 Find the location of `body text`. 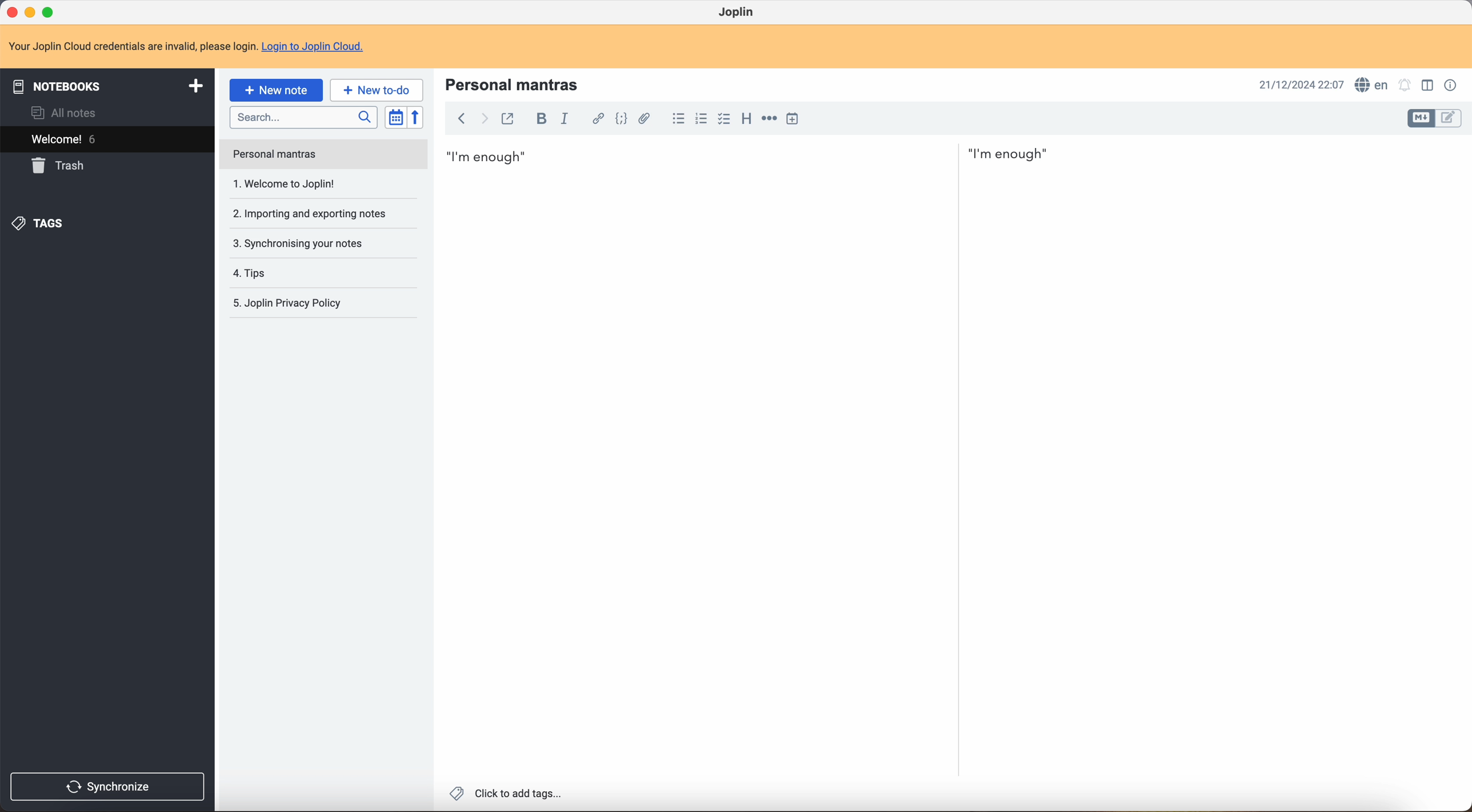

body text is located at coordinates (690, 478).